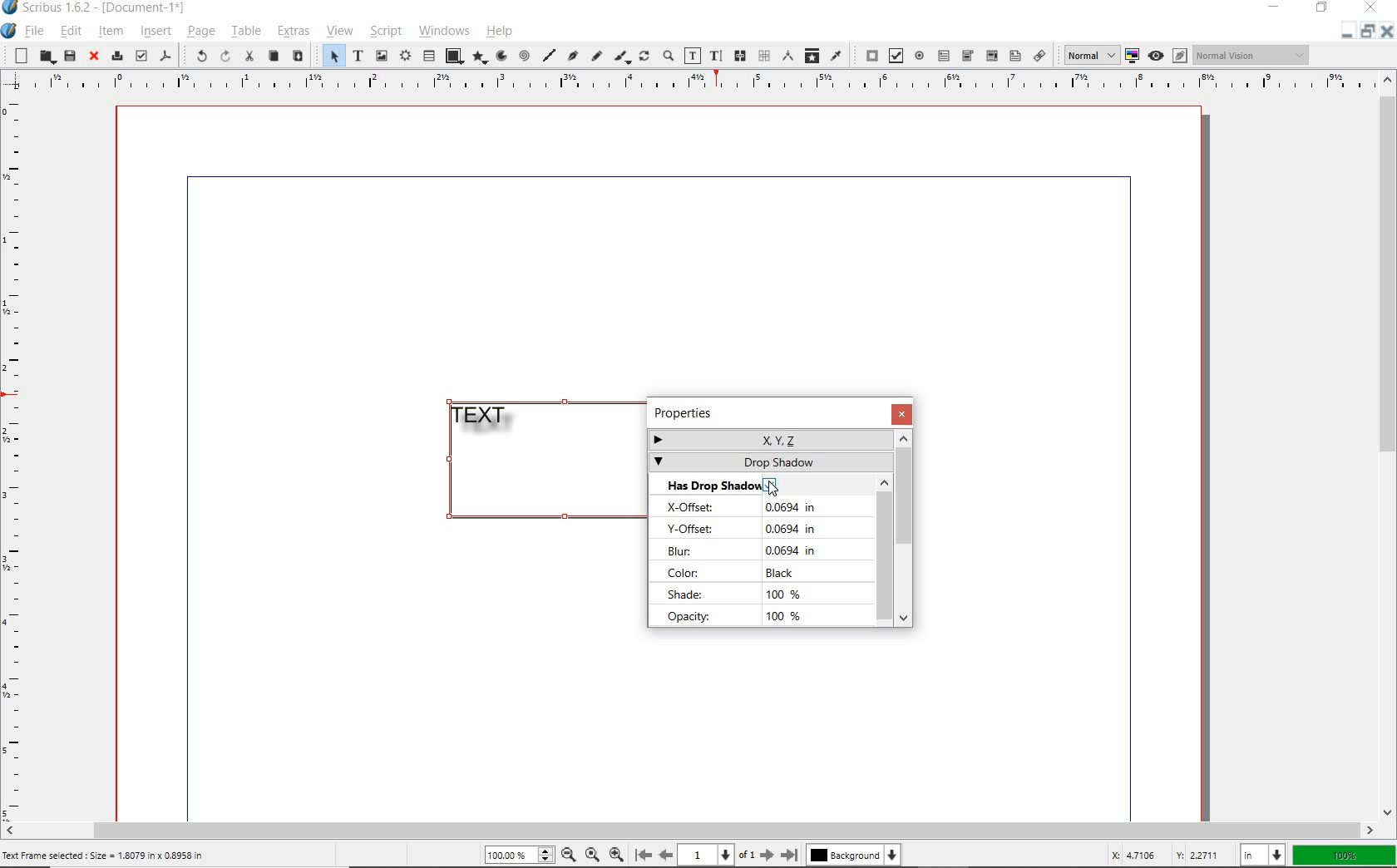 Image resolution: width=1397 pixels, height=868 pixels. I want to click on 1 of 1, so click(719, 856).